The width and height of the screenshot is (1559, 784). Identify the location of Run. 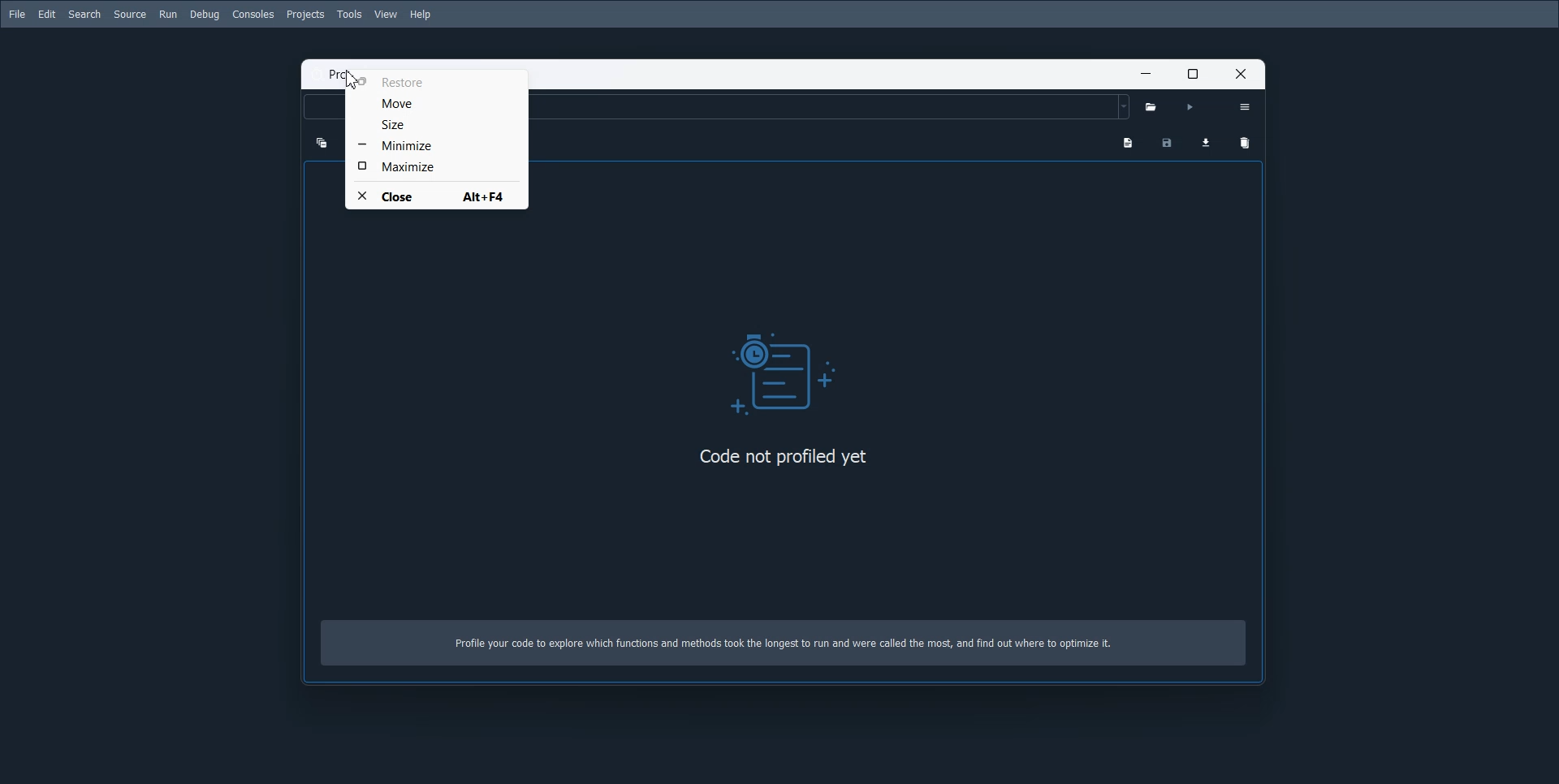
(167, 14).